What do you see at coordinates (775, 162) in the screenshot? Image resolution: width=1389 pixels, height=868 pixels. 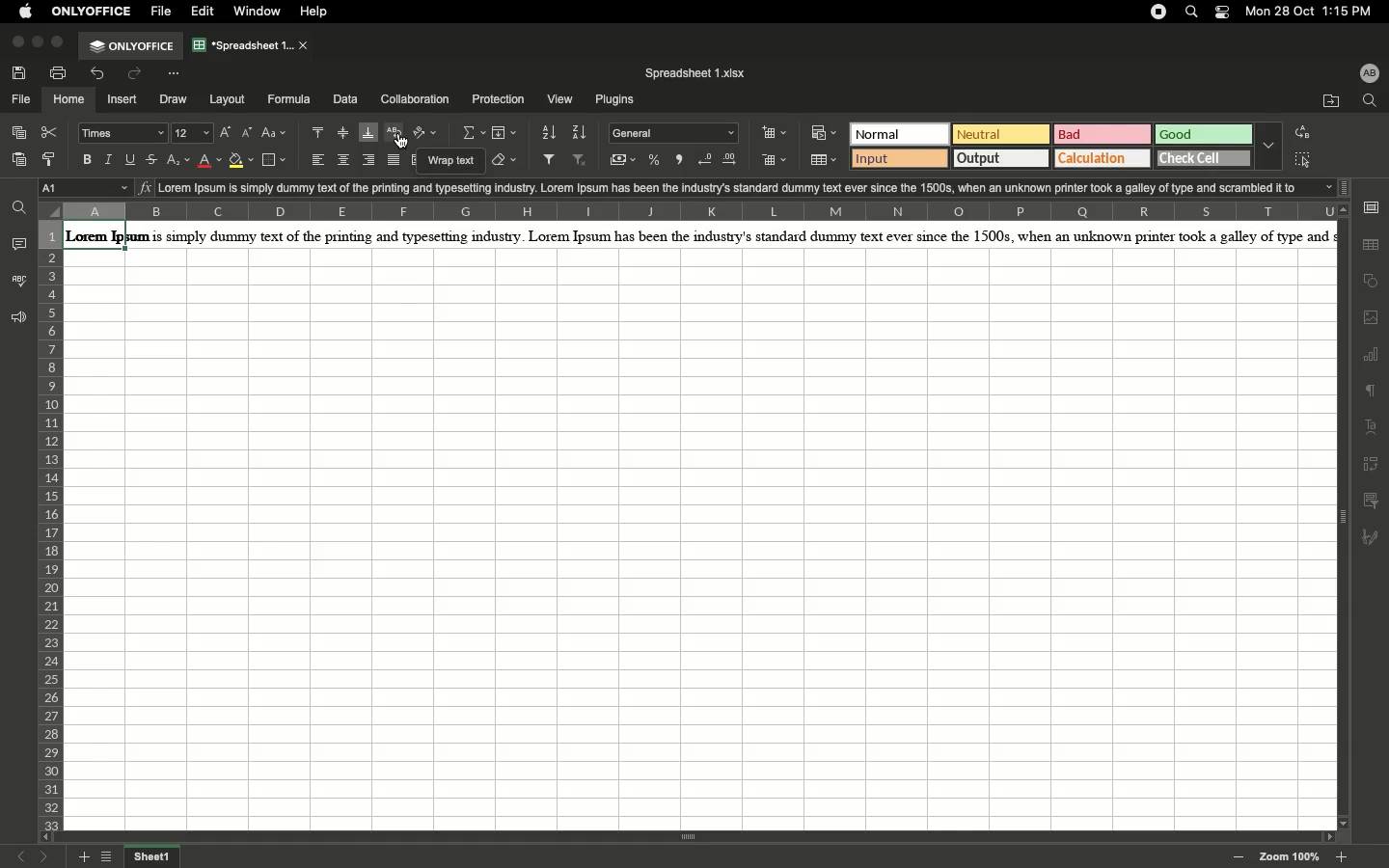 I see `Delete cells` at bounding box center [775, 162].